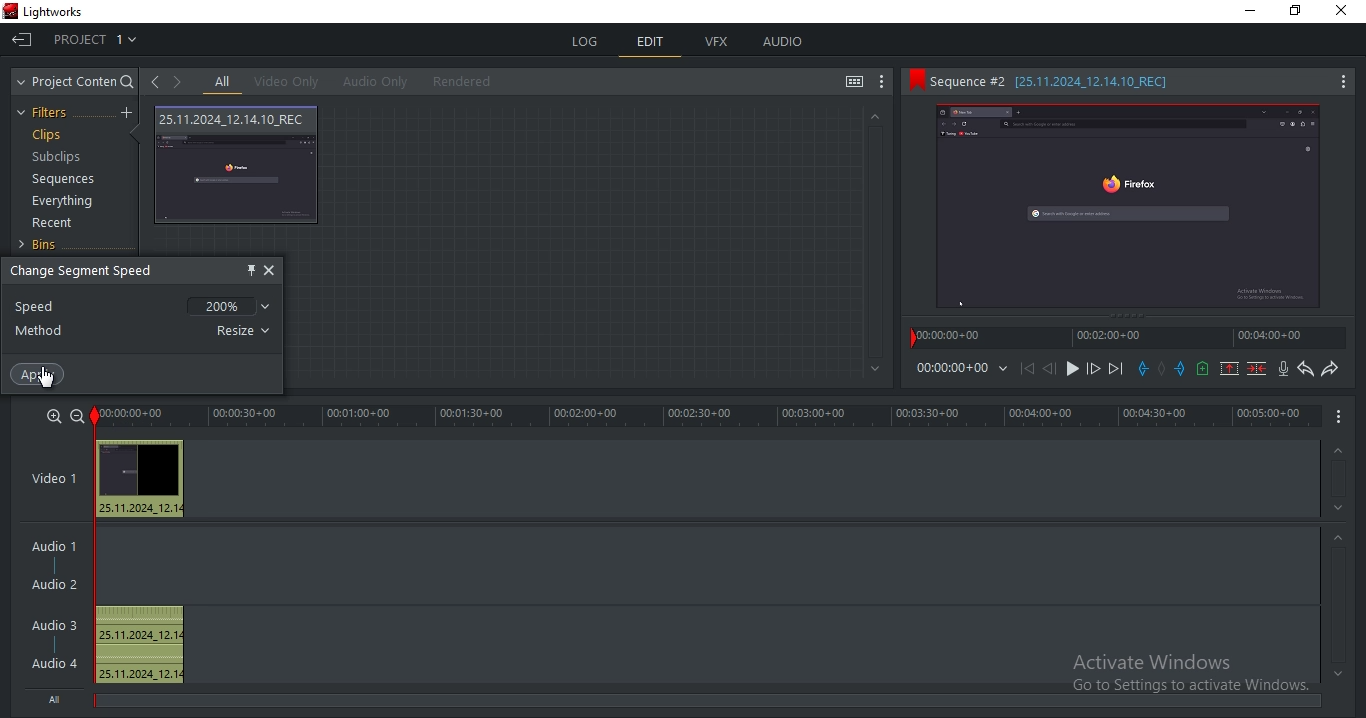 The height and width of the screenshot is (718, 1366). I want to click on , so click(178, 82).